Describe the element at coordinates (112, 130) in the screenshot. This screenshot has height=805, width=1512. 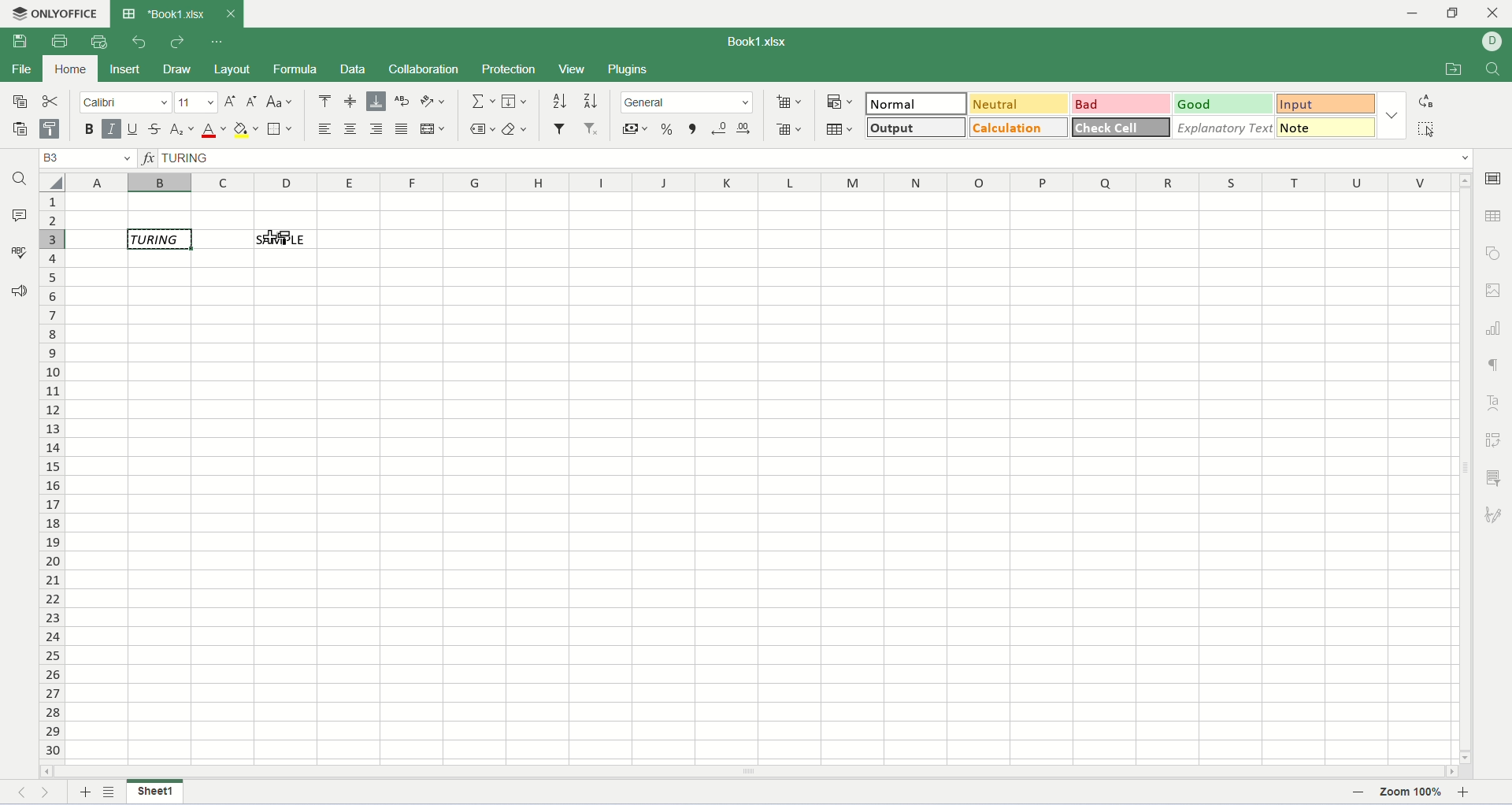
I see `italic` at that location.